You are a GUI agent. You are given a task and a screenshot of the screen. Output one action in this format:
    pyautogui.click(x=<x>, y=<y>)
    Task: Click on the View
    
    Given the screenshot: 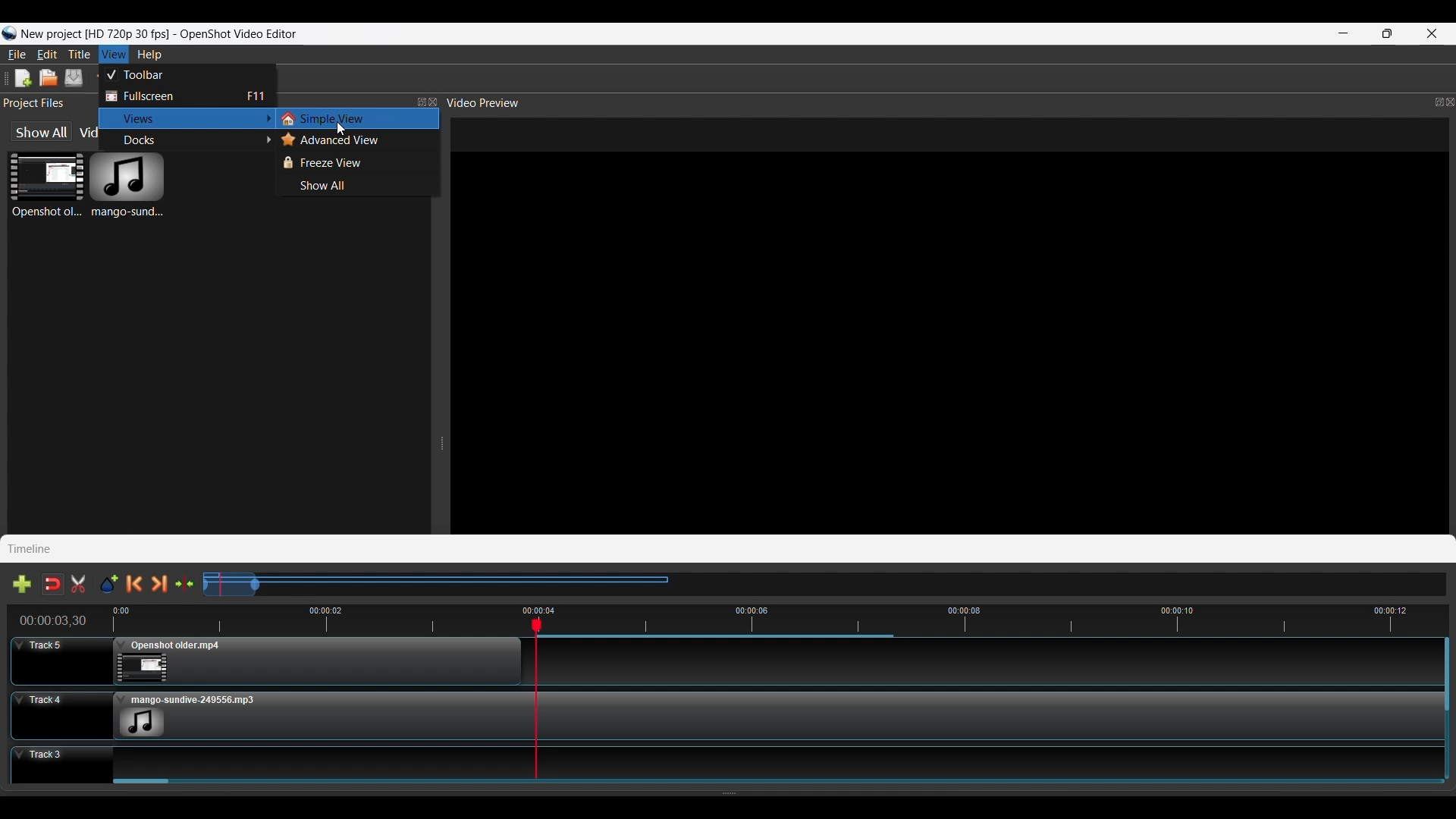 What is the action you would take?
    pyautogui.click(x=114, y=55)
    